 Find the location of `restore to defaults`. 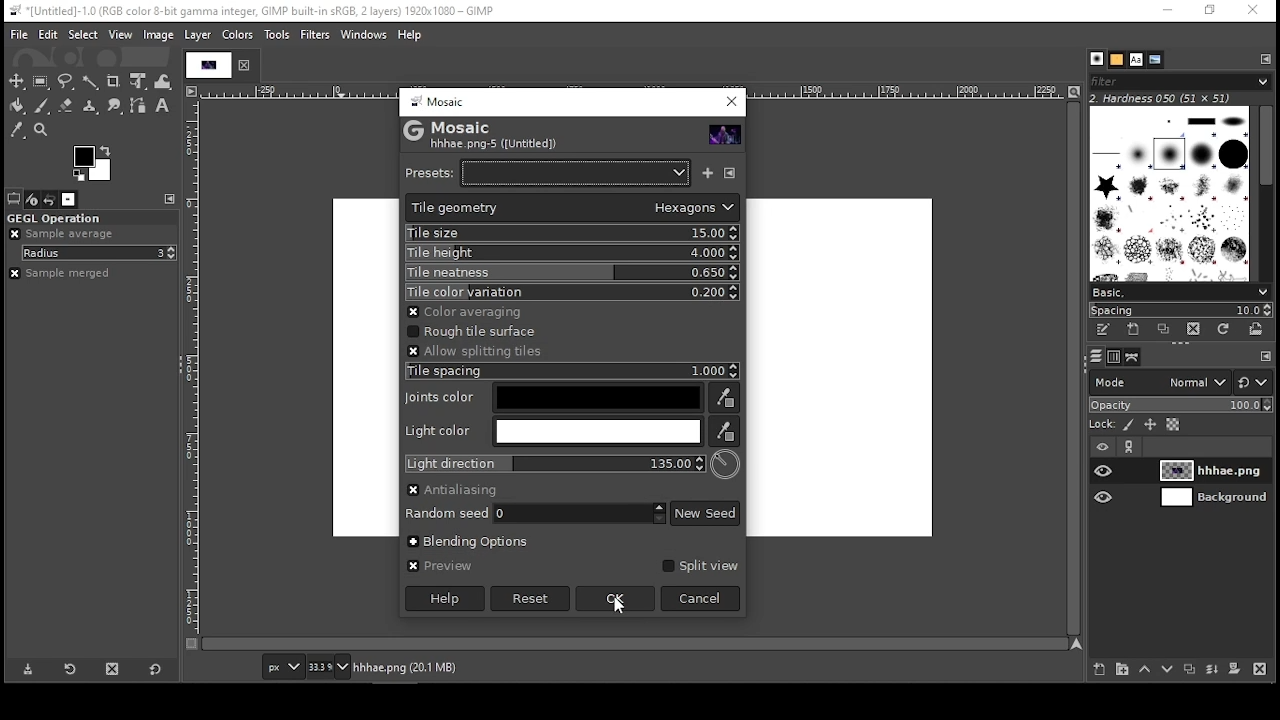

restore to defaults is located at coordinates (155, 670).